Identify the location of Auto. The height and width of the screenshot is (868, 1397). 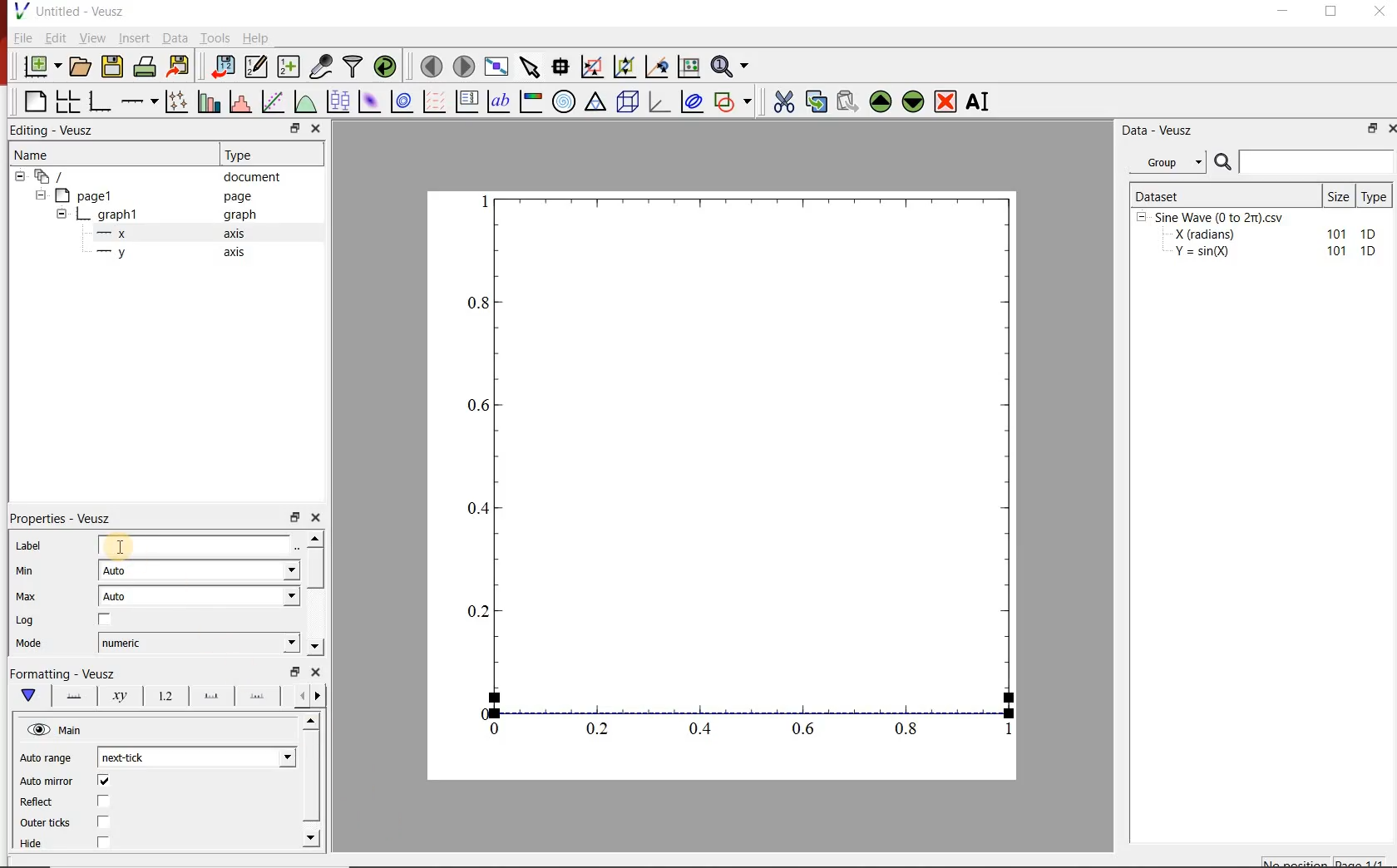
(199, 596).